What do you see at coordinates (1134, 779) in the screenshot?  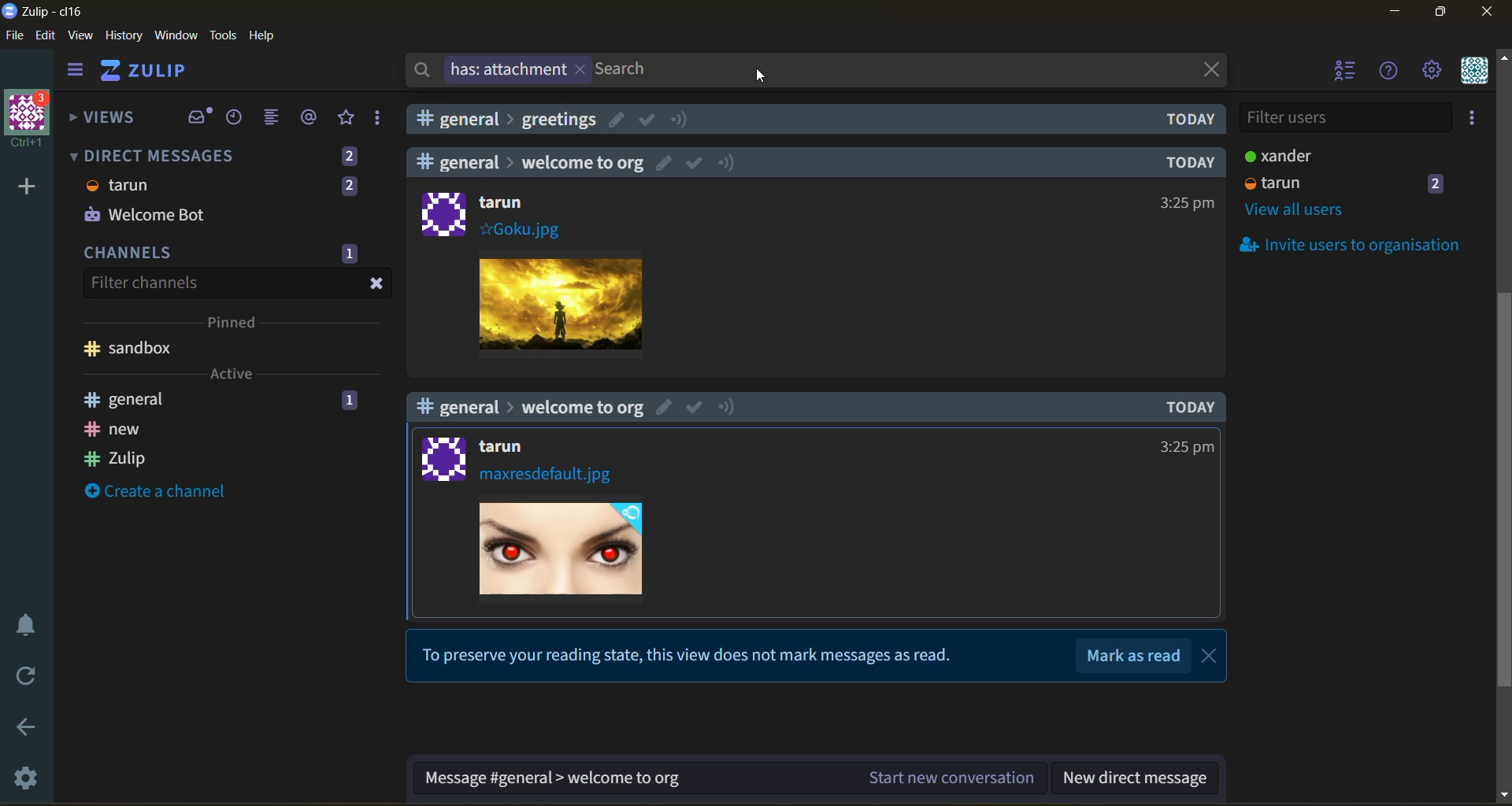 I see `new direct message` at bounding box center [1134, 779].